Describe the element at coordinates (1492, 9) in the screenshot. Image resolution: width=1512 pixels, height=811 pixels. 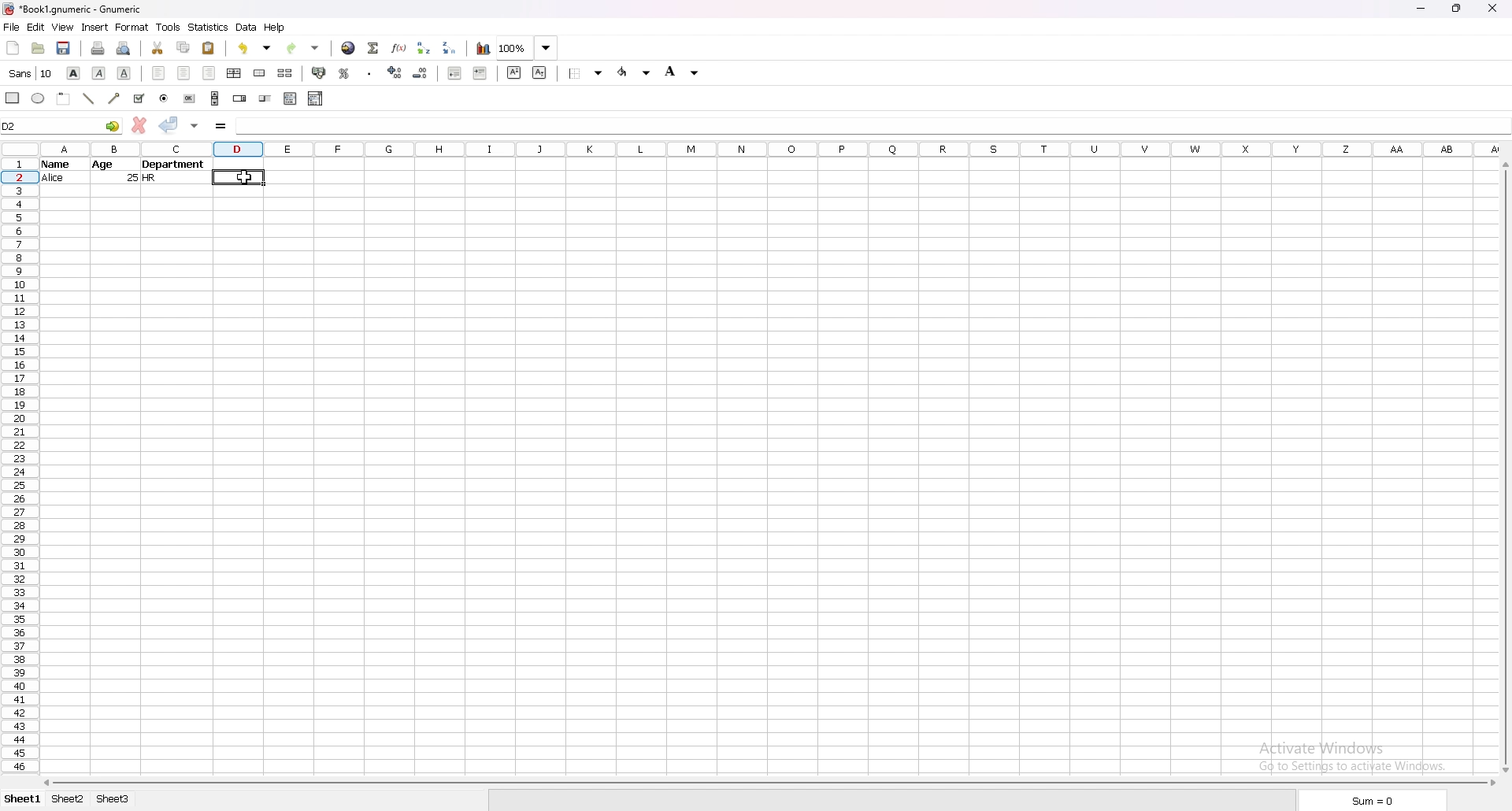
I see `close` at that location.